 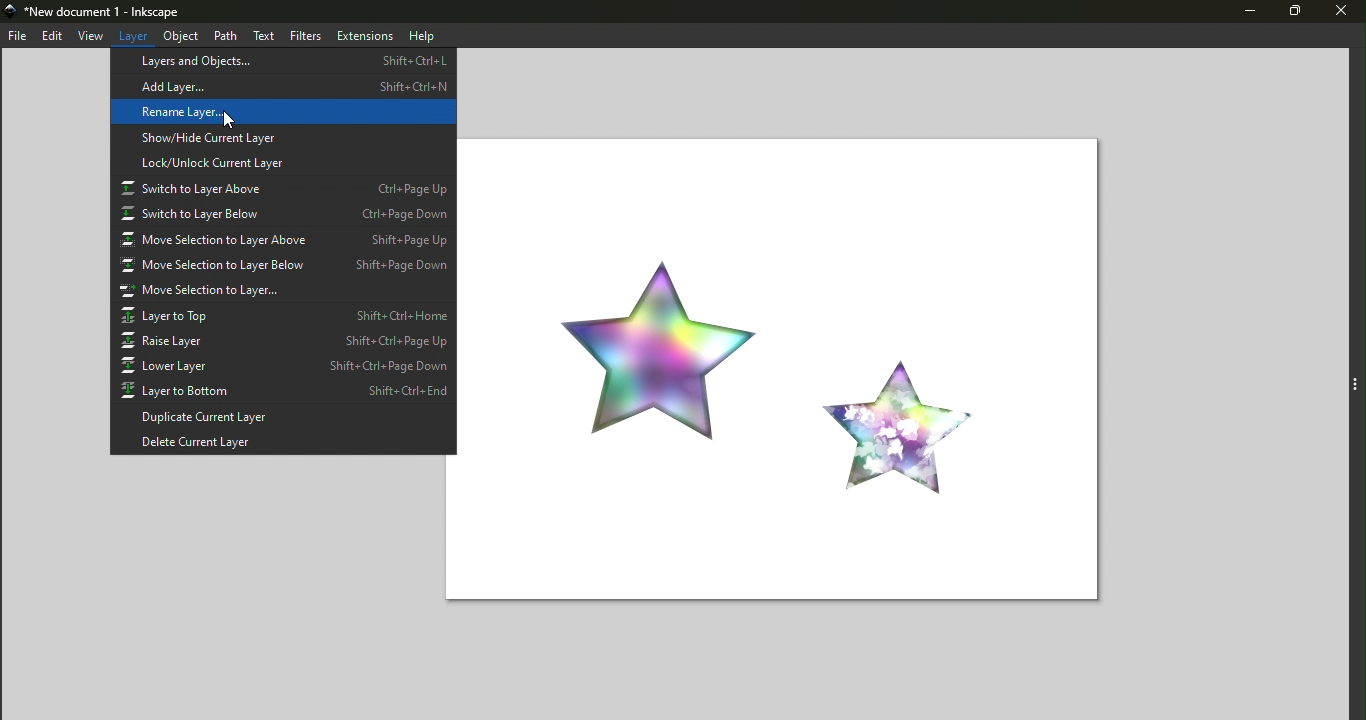 I want to click on Move selection to layer, so click(x=282, y=289).